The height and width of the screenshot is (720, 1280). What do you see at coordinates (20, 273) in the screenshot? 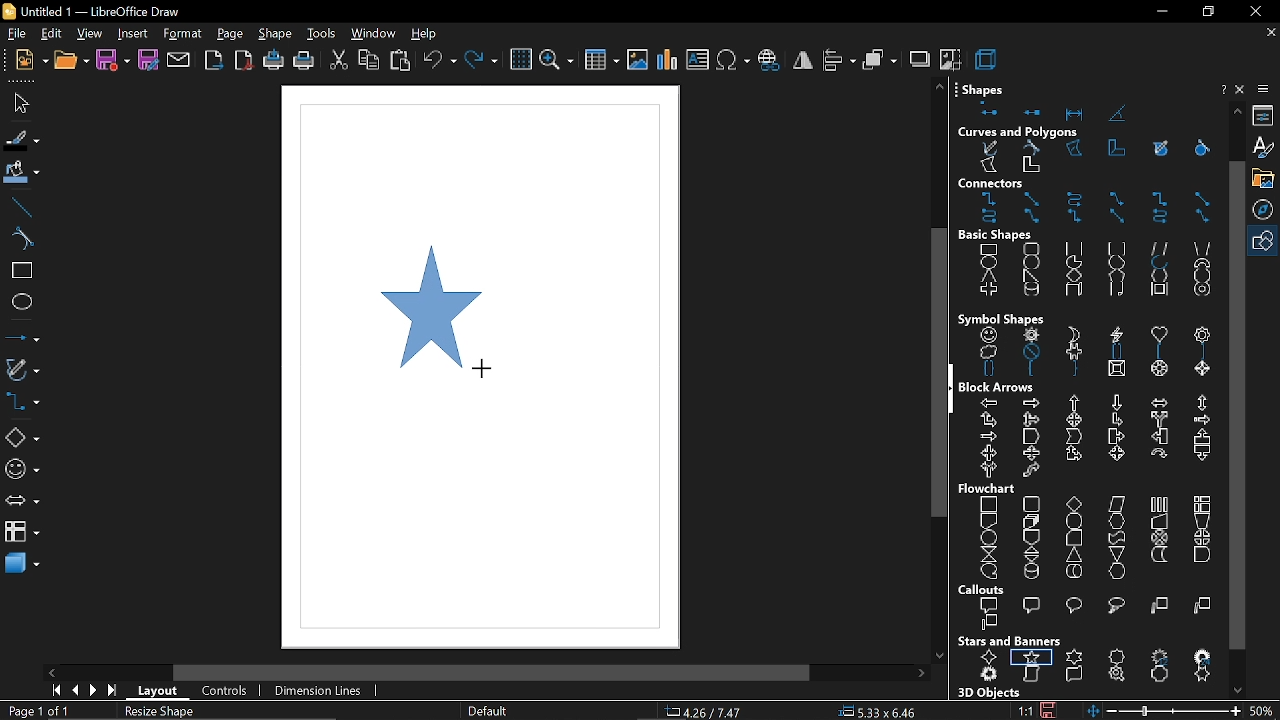
I see `rectangle` at bounding box center [20, 273].